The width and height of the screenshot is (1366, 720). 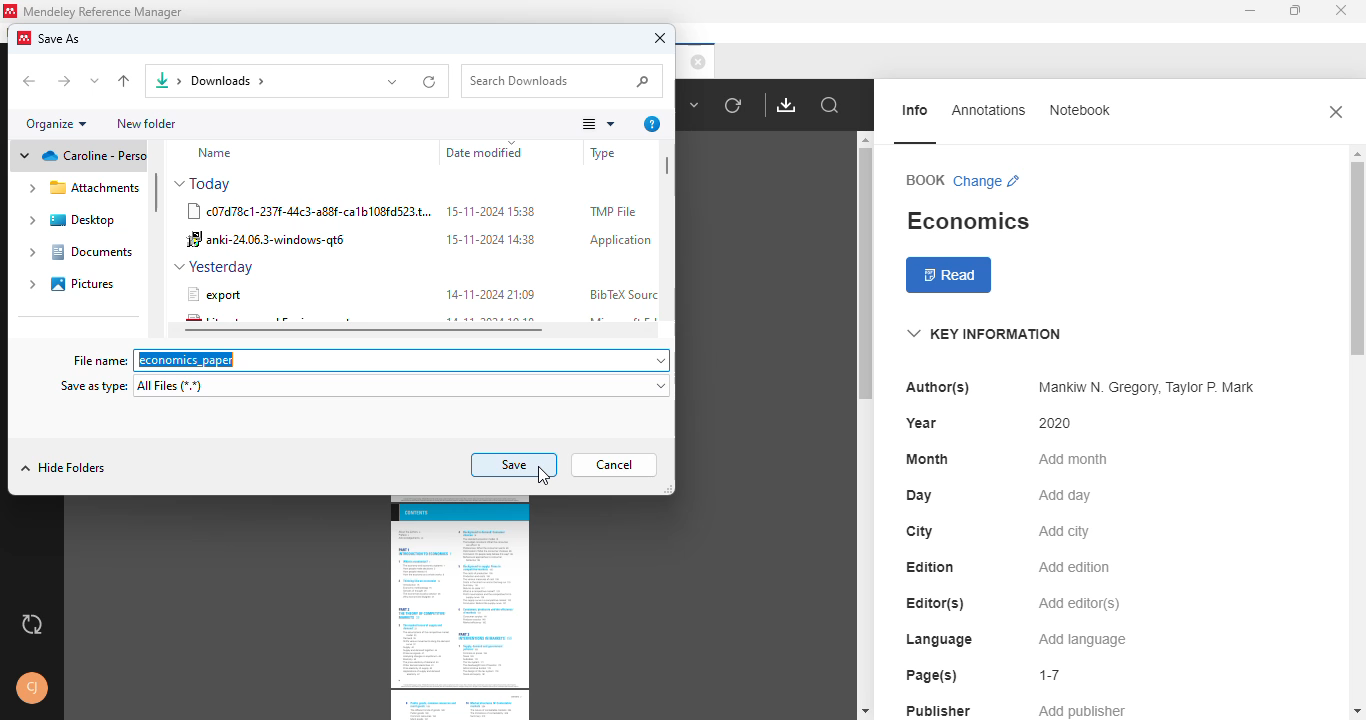 What do you see at coordinates (1065, 496) in the screenshot?
I see `add day` at bounding box center [1065, 496].